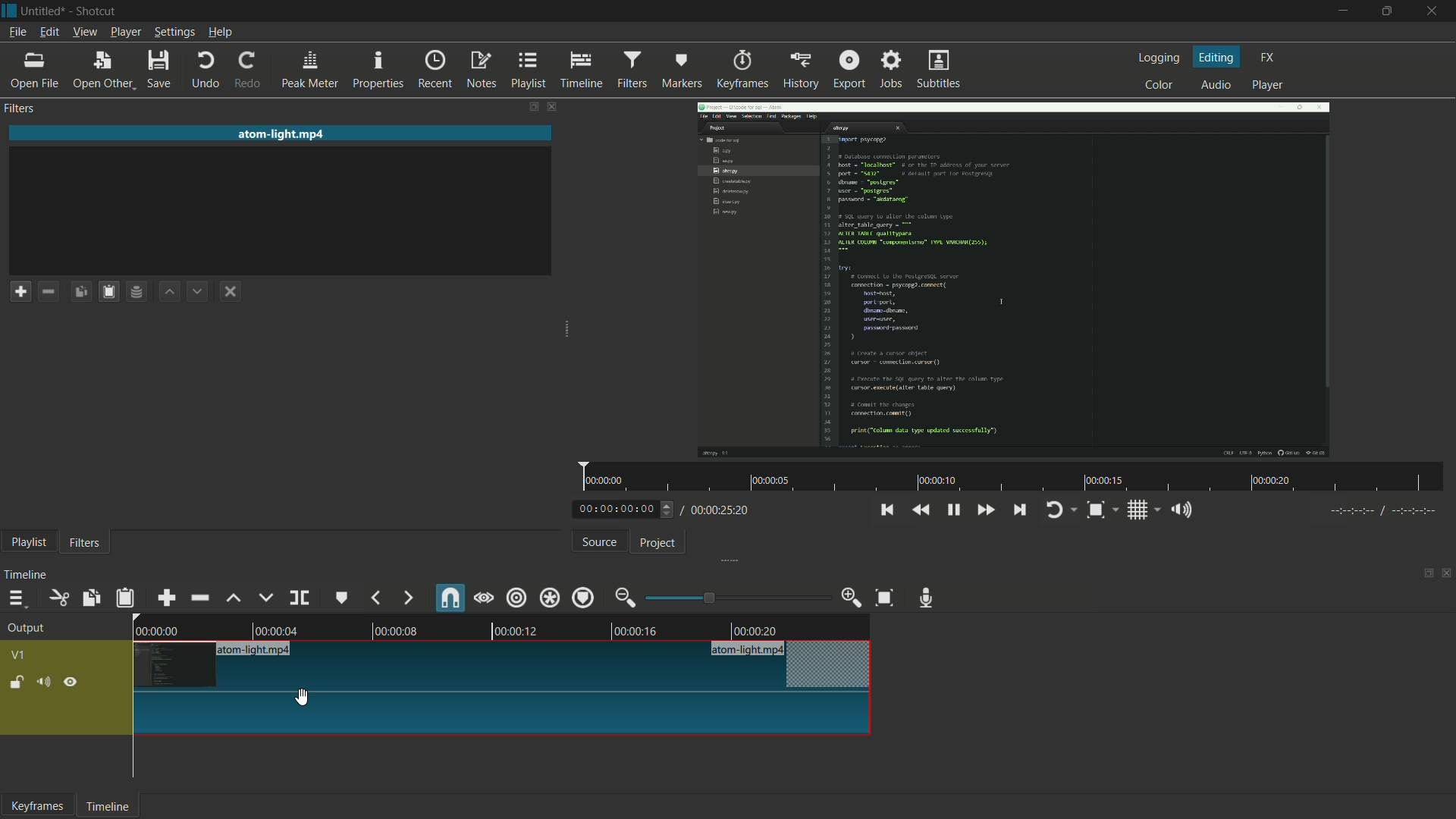  I want to click on player menu, so click(125, 32).